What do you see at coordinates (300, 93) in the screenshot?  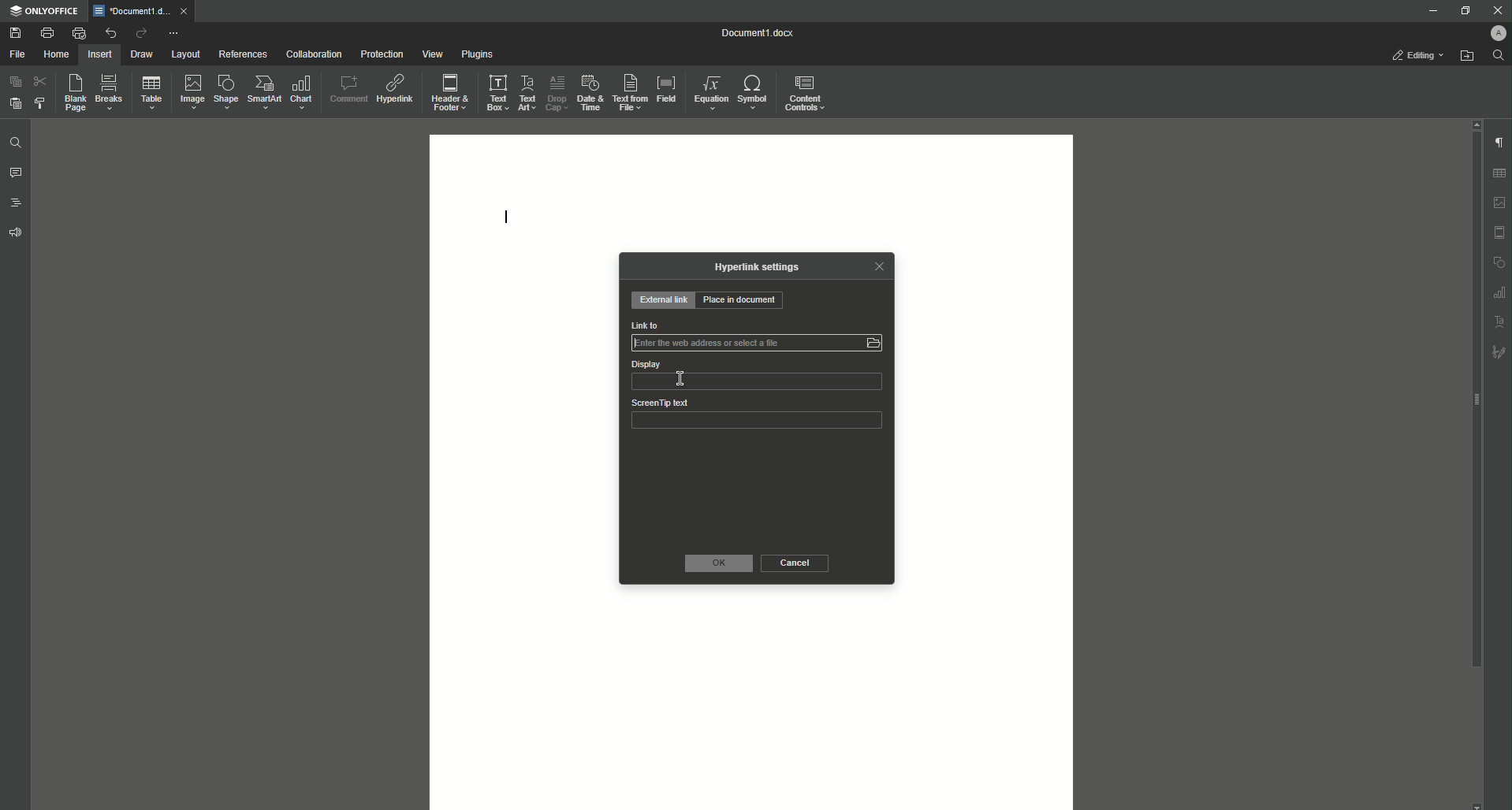 I see `Chart` at bounding box center [300, 93].